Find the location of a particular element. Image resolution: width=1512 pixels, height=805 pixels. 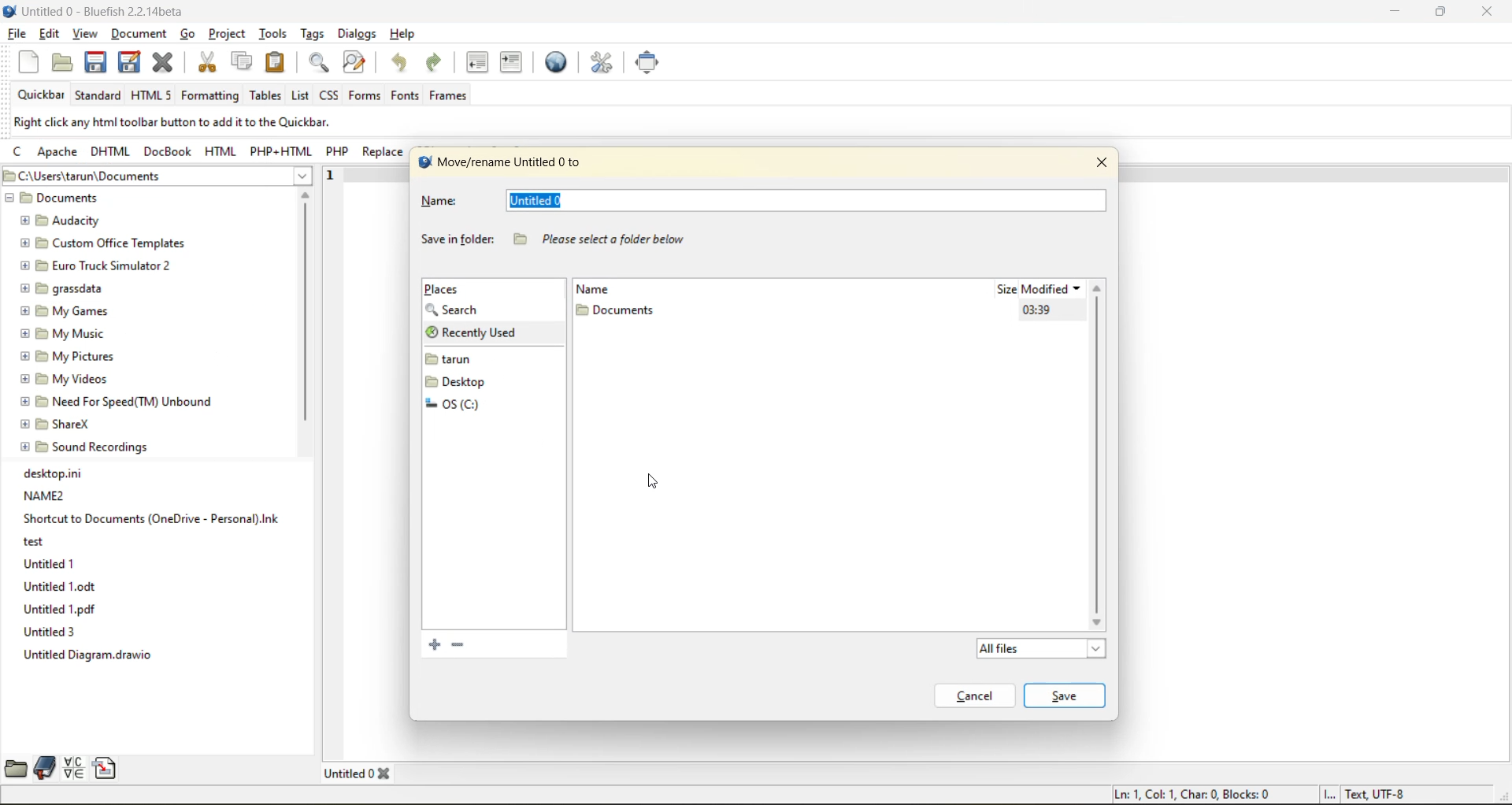

charmap is located at coordinates (73, 769).